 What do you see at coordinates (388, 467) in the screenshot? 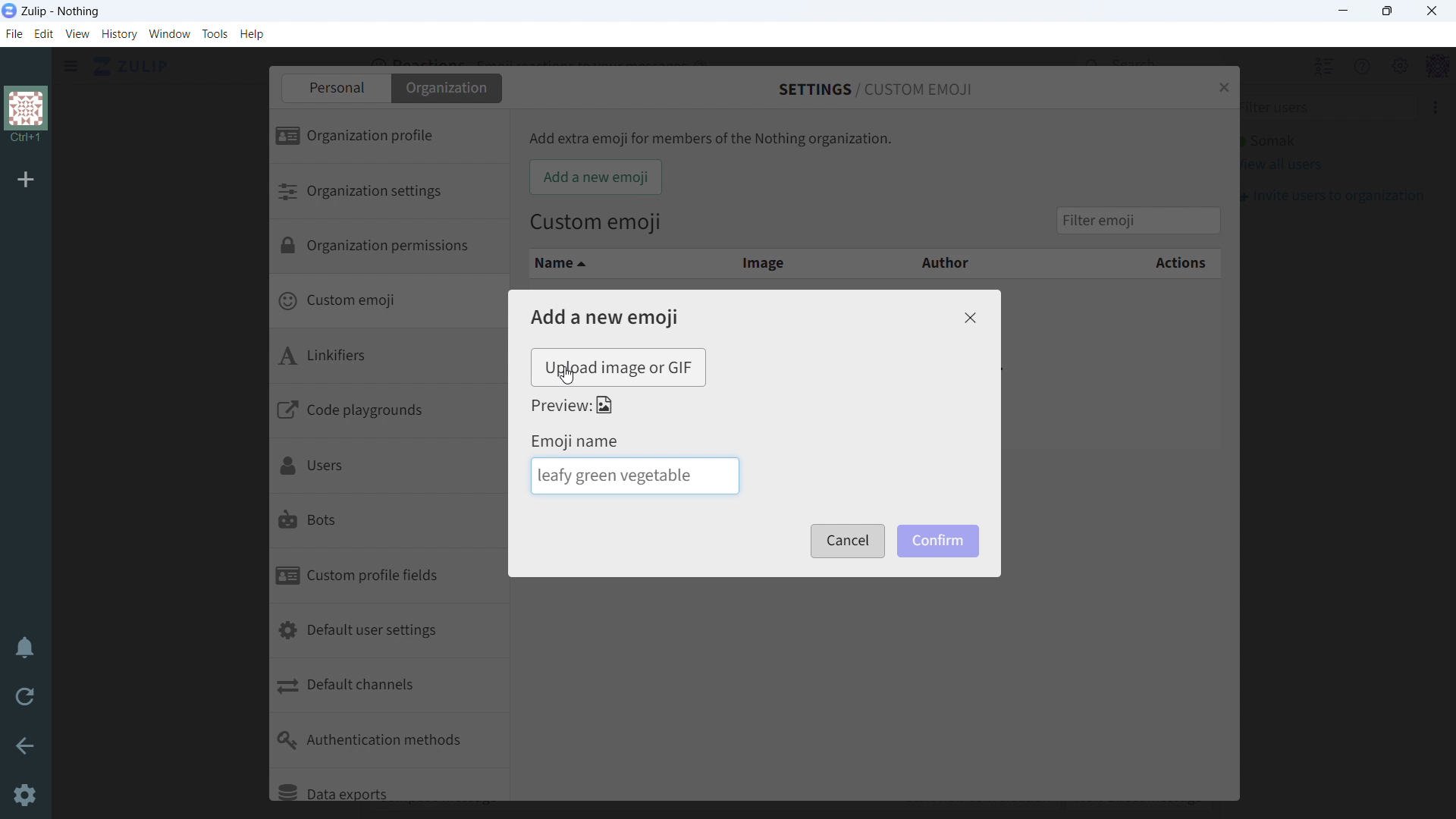
I see `users` at bounding box center [388, 467].